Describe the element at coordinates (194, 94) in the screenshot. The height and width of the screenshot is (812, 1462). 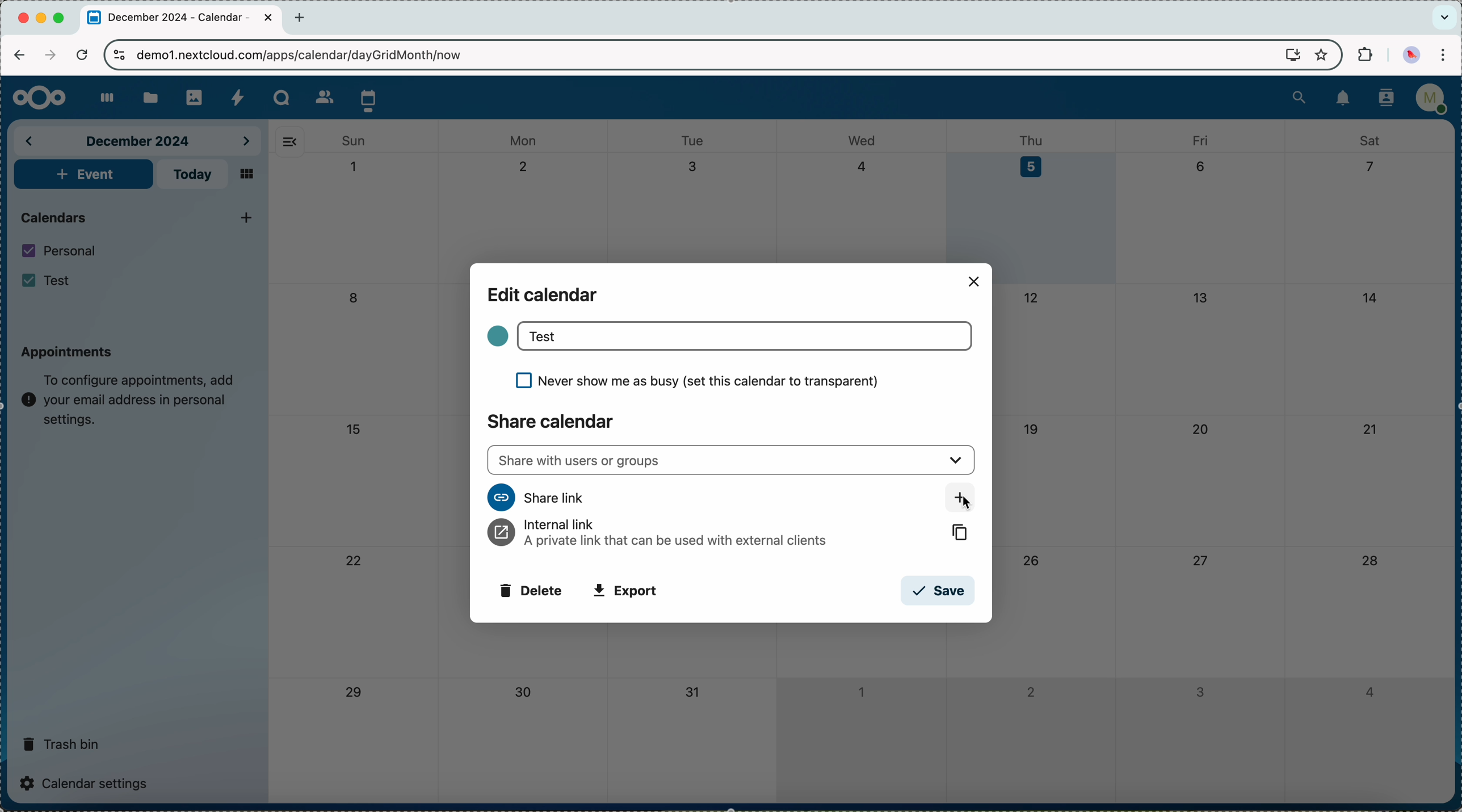
I see `photos` at that location.